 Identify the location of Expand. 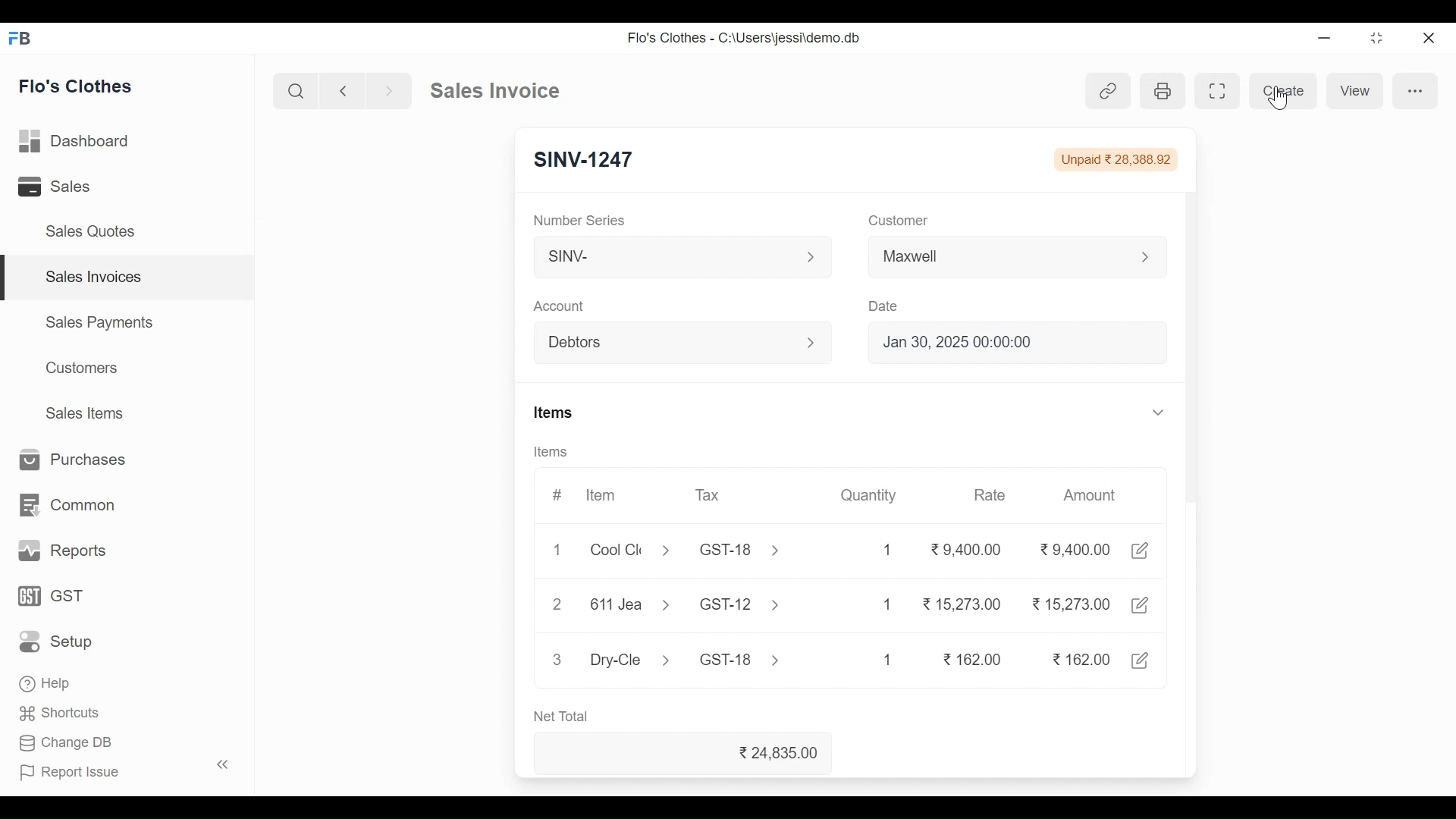
(812, 257).